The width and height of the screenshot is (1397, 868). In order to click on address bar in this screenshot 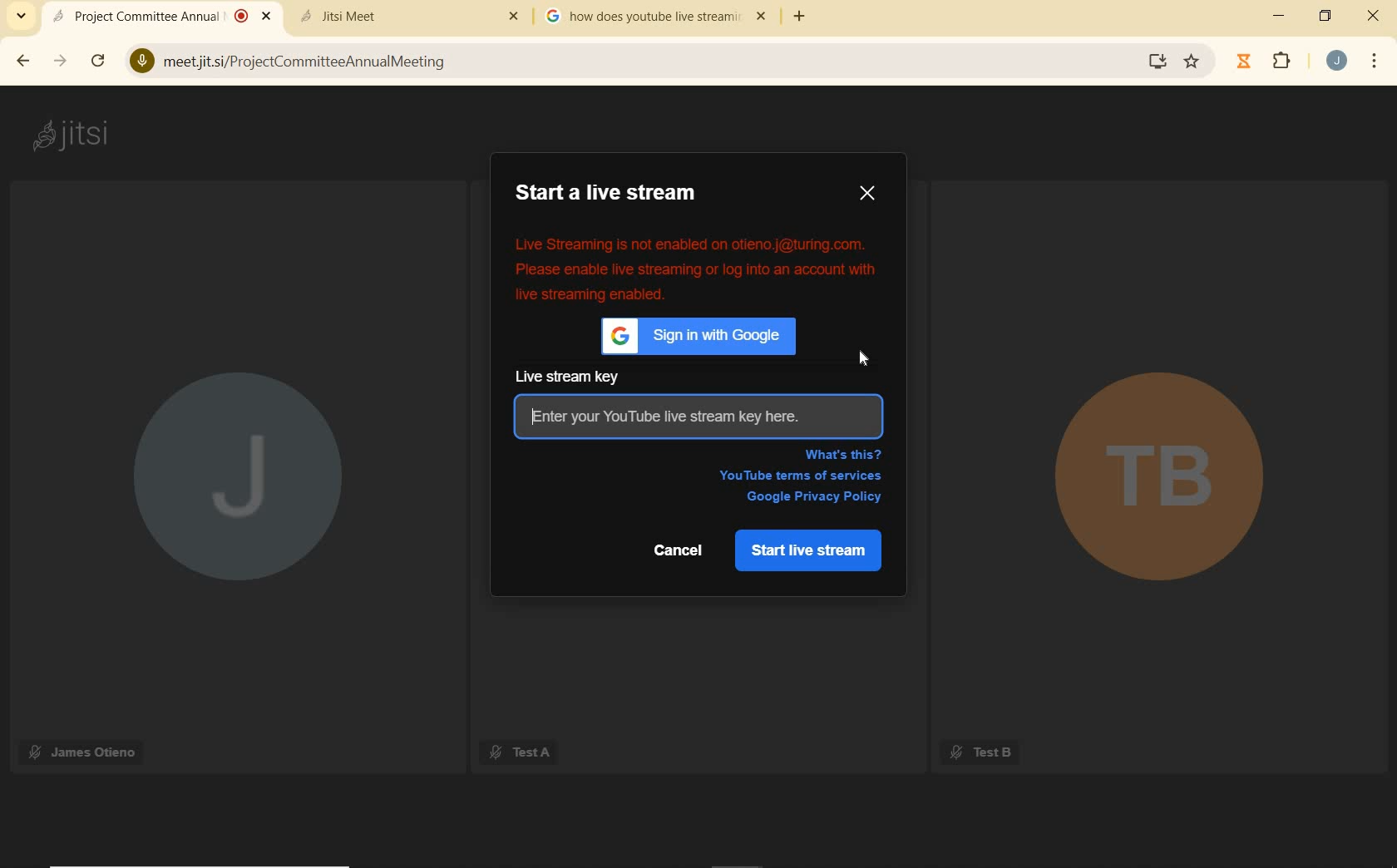, I will do `click(650, 60)`.